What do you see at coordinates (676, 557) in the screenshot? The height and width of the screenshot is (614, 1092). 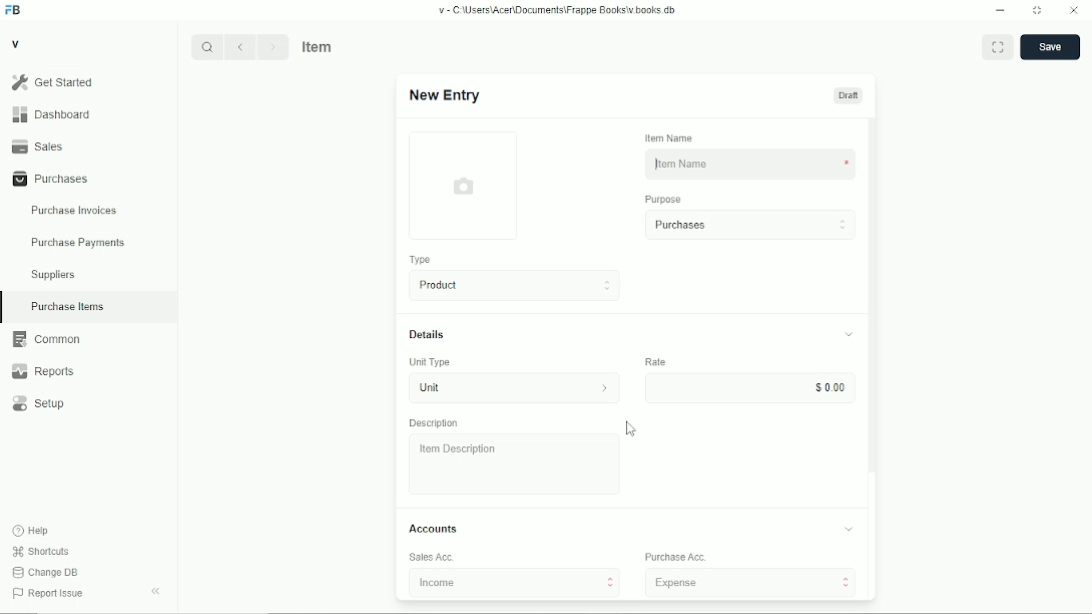 I see `purchase acc.` at bounding box center [676, 557].